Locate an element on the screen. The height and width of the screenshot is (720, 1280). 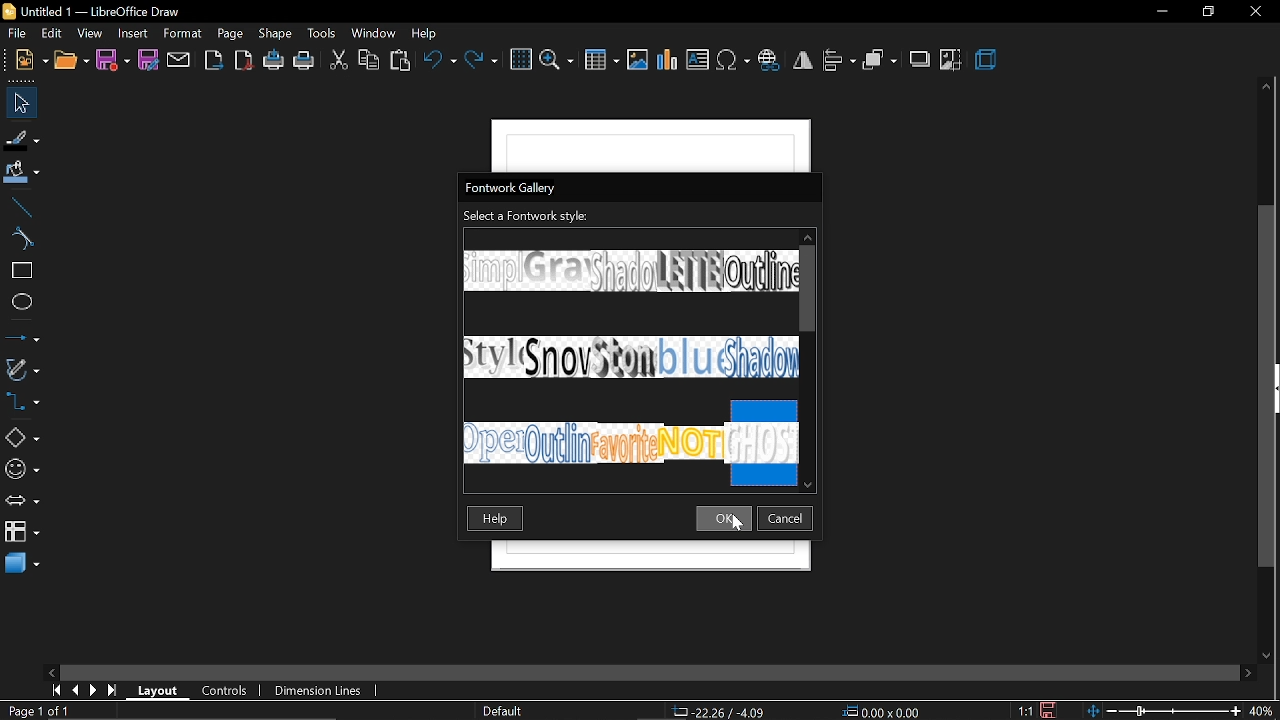
go to last page is located at coordinates (109, 691).